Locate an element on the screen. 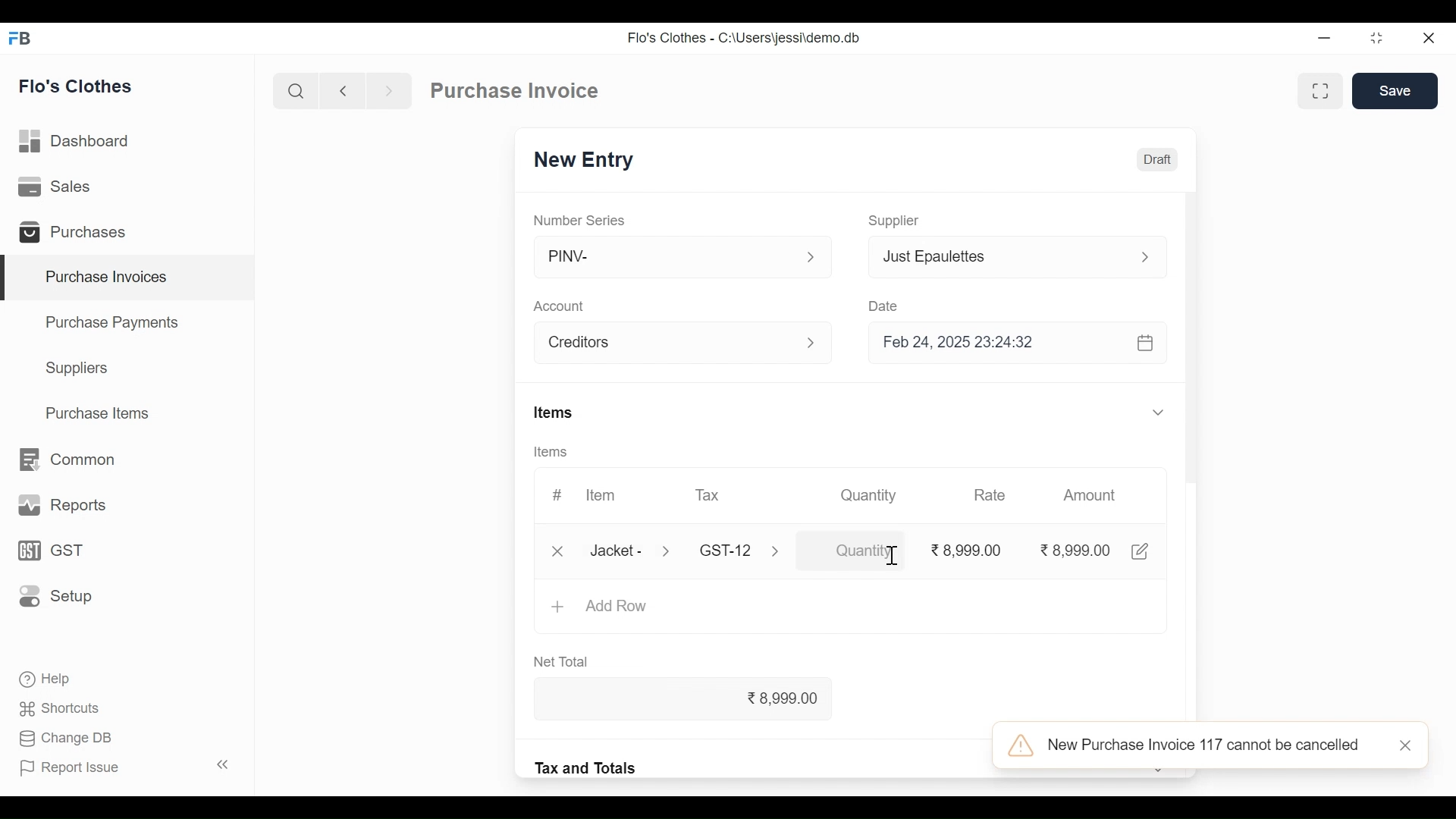  Account is located at coordinates (669, 342).